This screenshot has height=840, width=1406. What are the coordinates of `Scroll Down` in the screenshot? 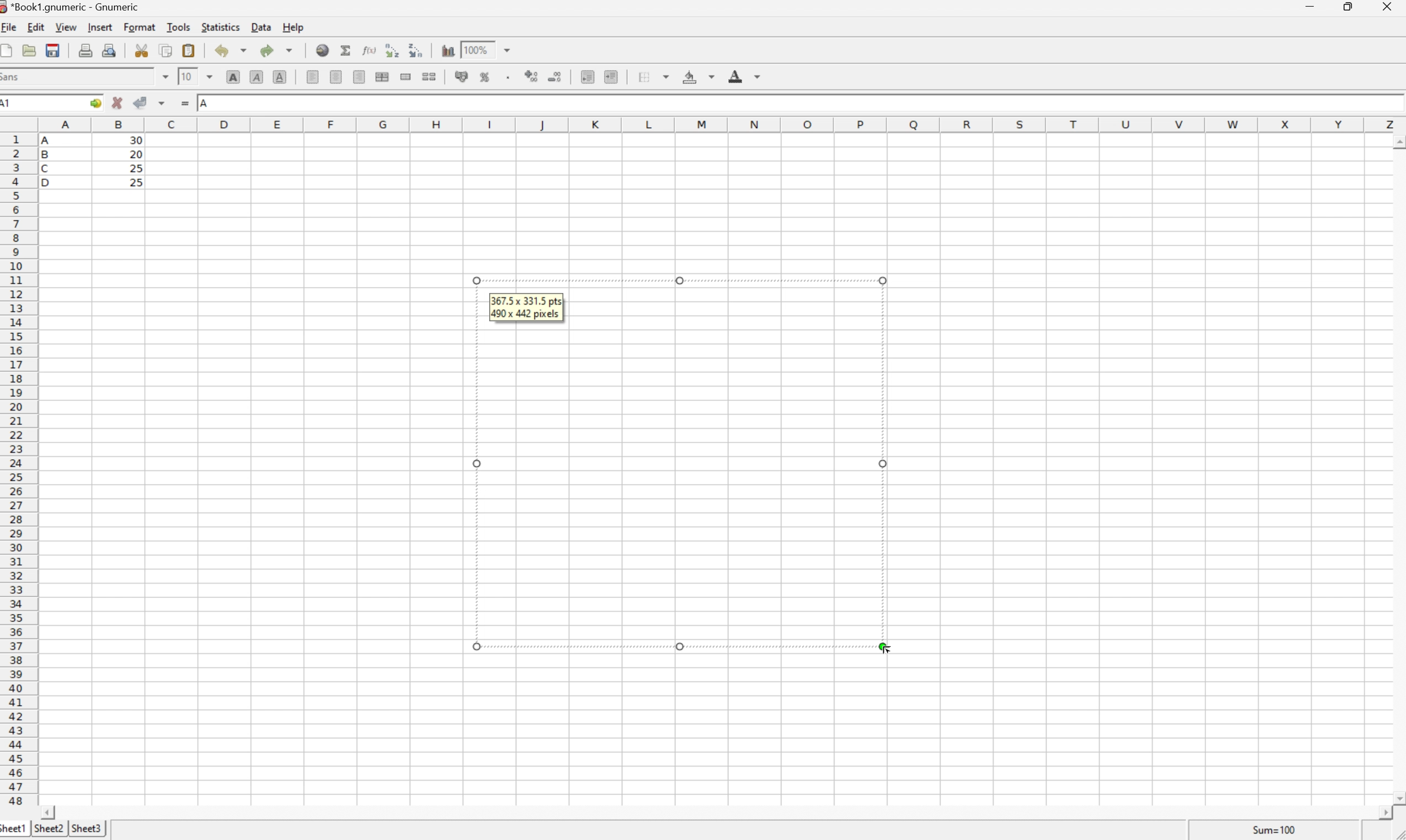 It's located at (1397, 797).